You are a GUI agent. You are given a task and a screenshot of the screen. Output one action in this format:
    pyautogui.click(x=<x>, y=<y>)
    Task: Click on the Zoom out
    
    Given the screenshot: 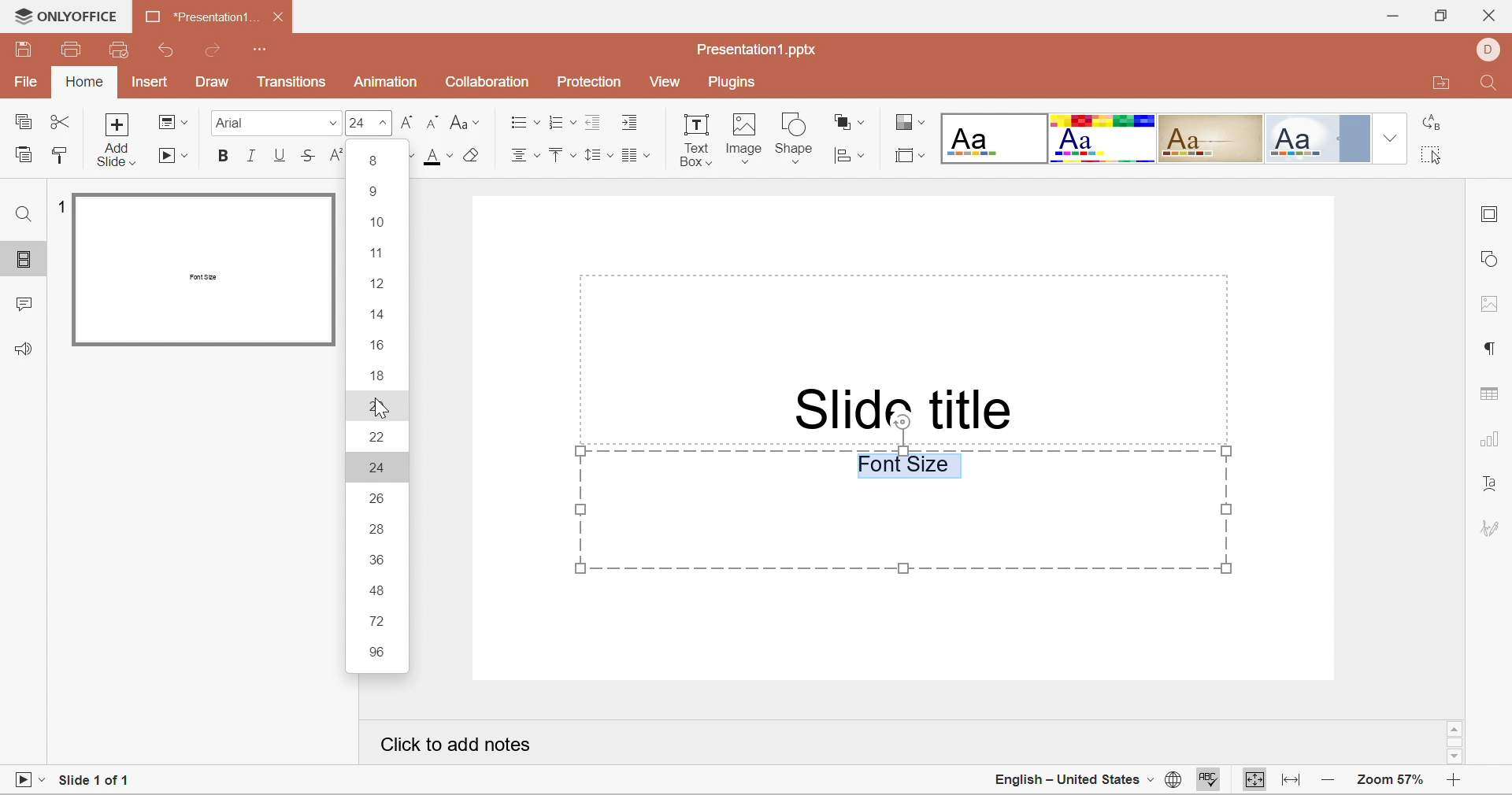 What is the action you would take?
    pyautogui.click(x=1334, y=782)
    